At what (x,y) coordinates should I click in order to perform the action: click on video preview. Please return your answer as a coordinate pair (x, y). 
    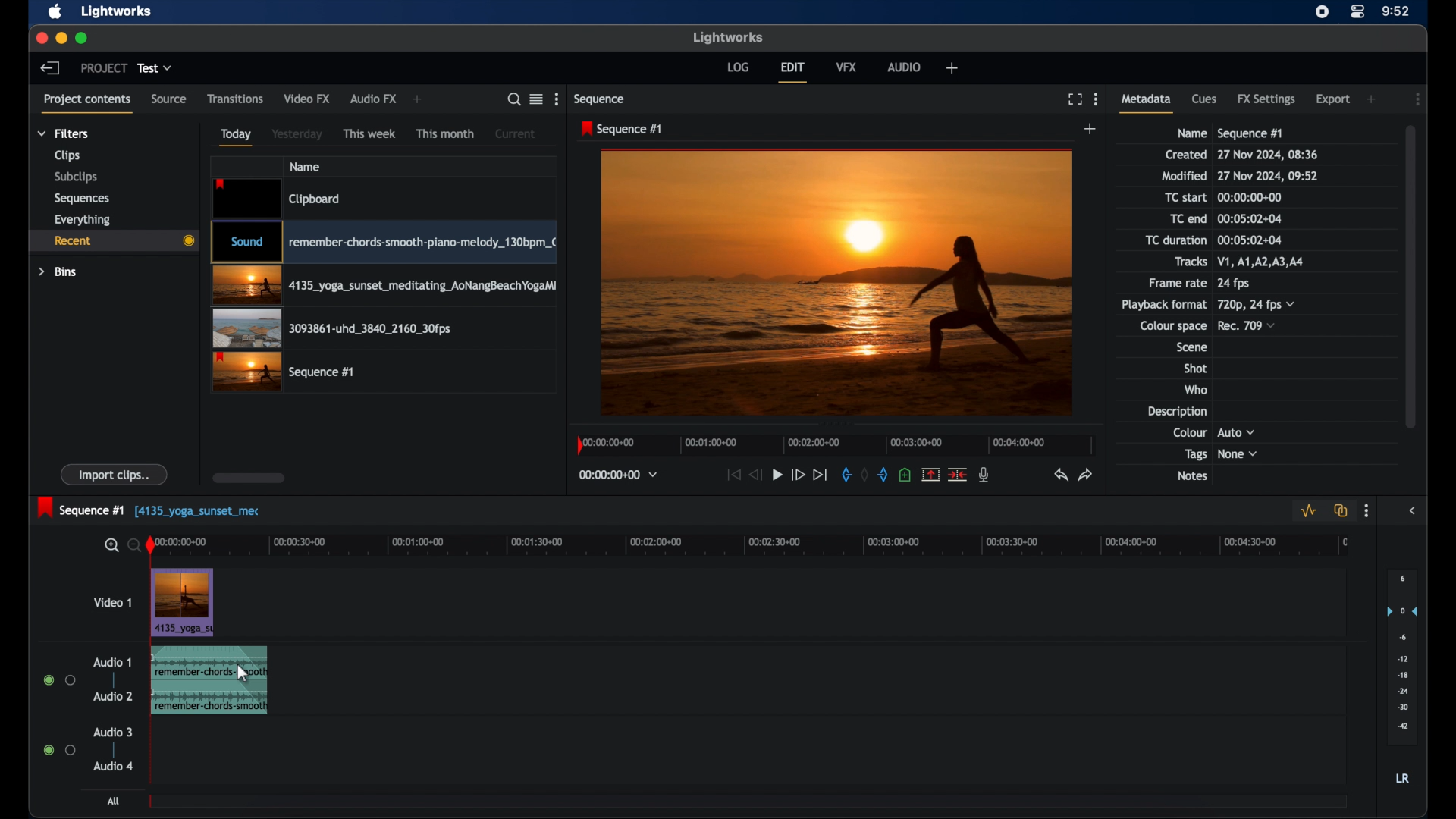
    Looking at the image, I should click on (836, 281).